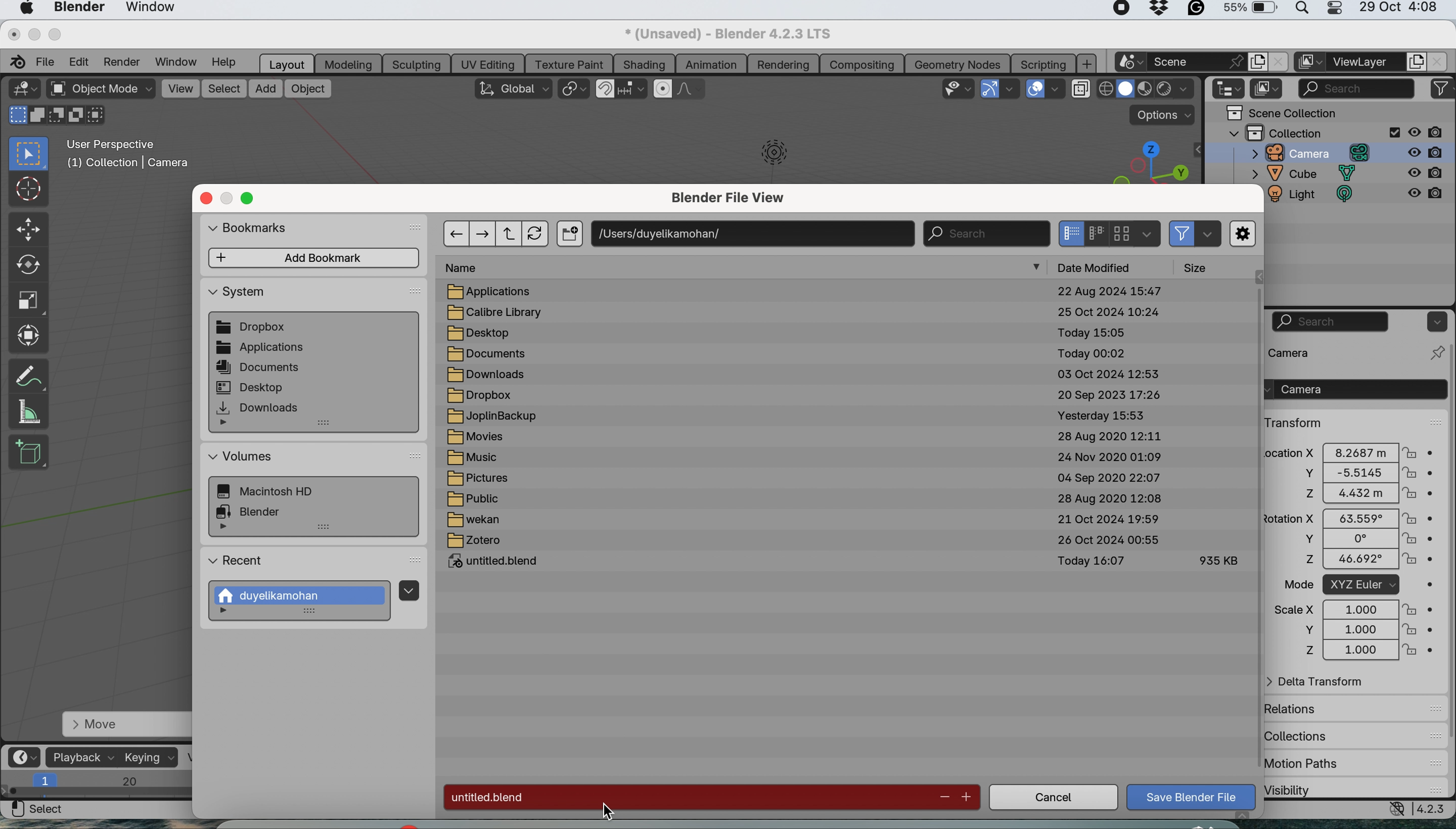 Image resolution: width=1456 pixels, height=829 pixels. I want to click on blender logo, so click(14, 62).